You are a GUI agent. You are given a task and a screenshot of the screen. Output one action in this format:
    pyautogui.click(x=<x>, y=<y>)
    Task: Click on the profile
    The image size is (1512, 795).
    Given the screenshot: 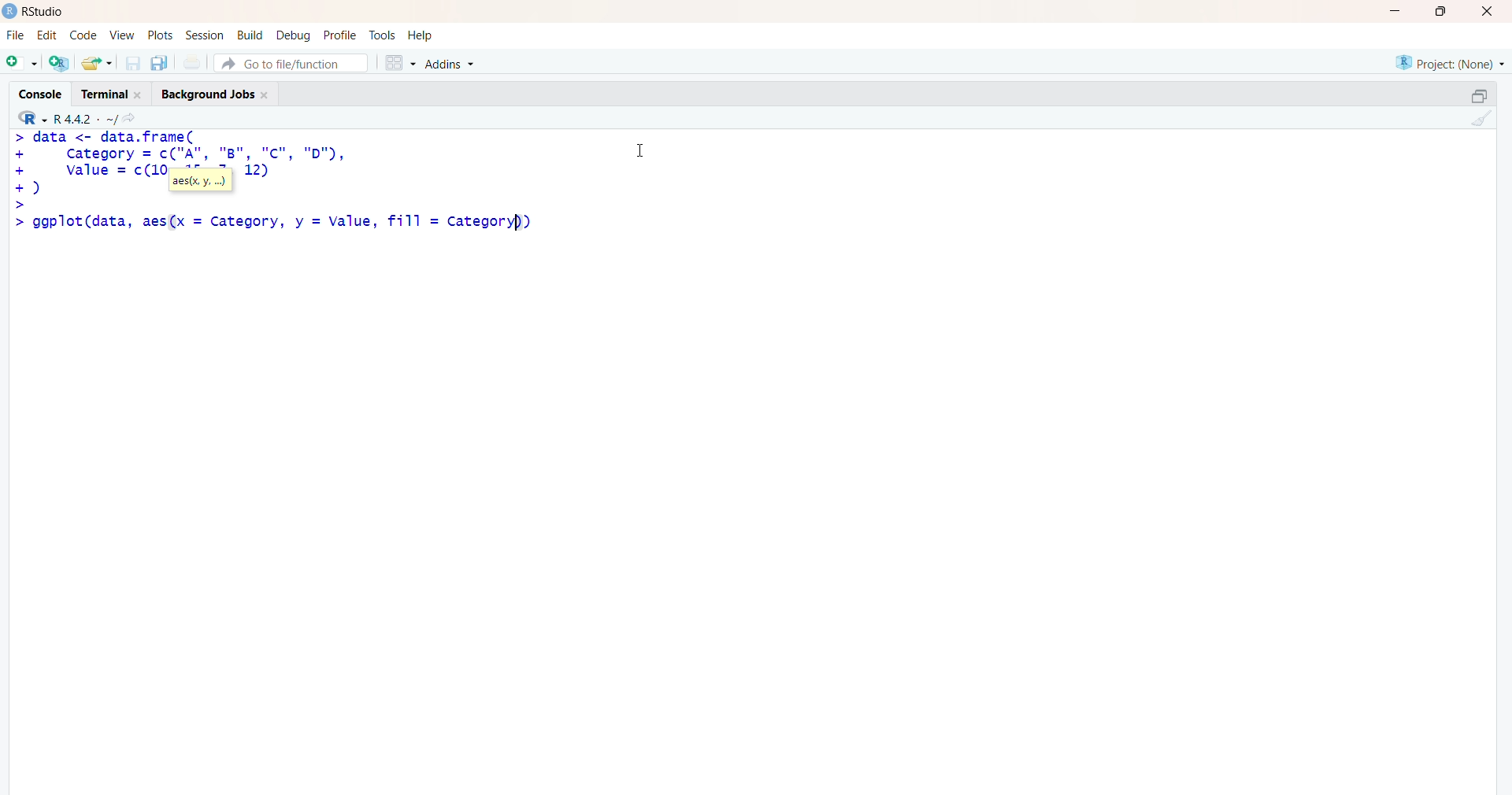 What is the action you would take?
    pyautogui.click(x=339, y=36)
    